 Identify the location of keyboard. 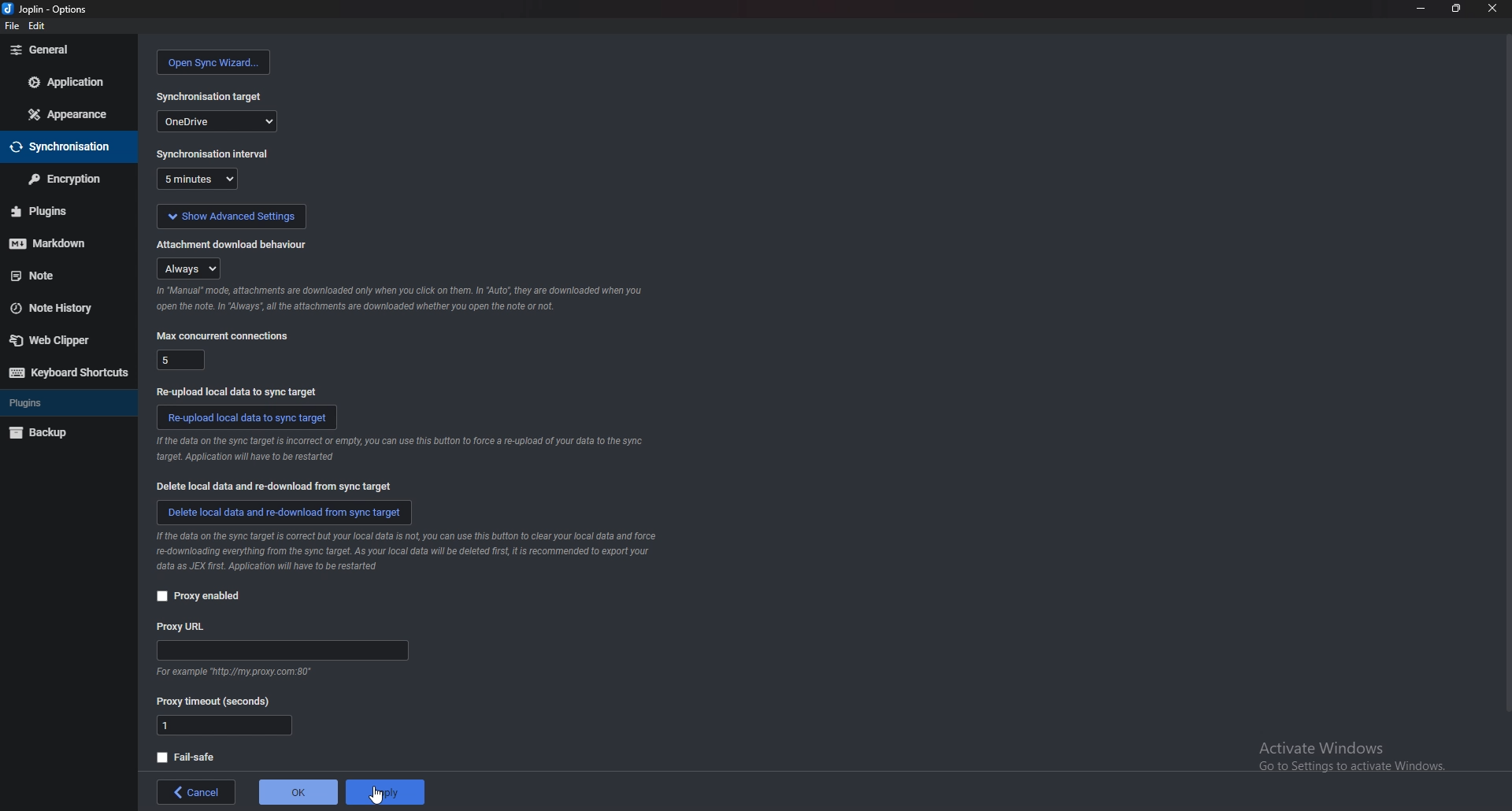
(68, 371).